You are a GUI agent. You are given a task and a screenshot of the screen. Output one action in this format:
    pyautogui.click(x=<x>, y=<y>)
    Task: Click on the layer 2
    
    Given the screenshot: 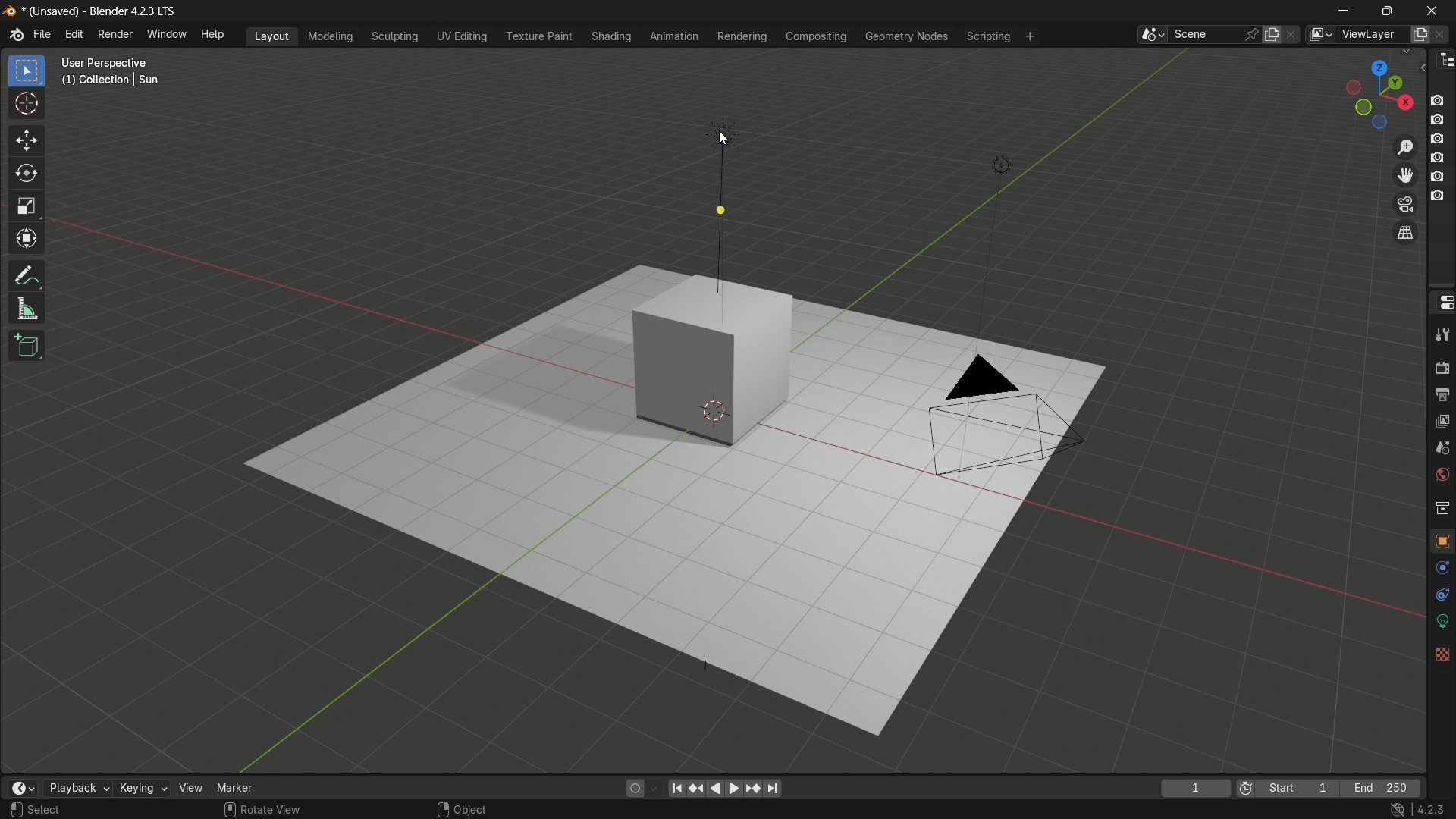 What is the action you would take?
    pyautogui.click(x=1436, y=118)
    